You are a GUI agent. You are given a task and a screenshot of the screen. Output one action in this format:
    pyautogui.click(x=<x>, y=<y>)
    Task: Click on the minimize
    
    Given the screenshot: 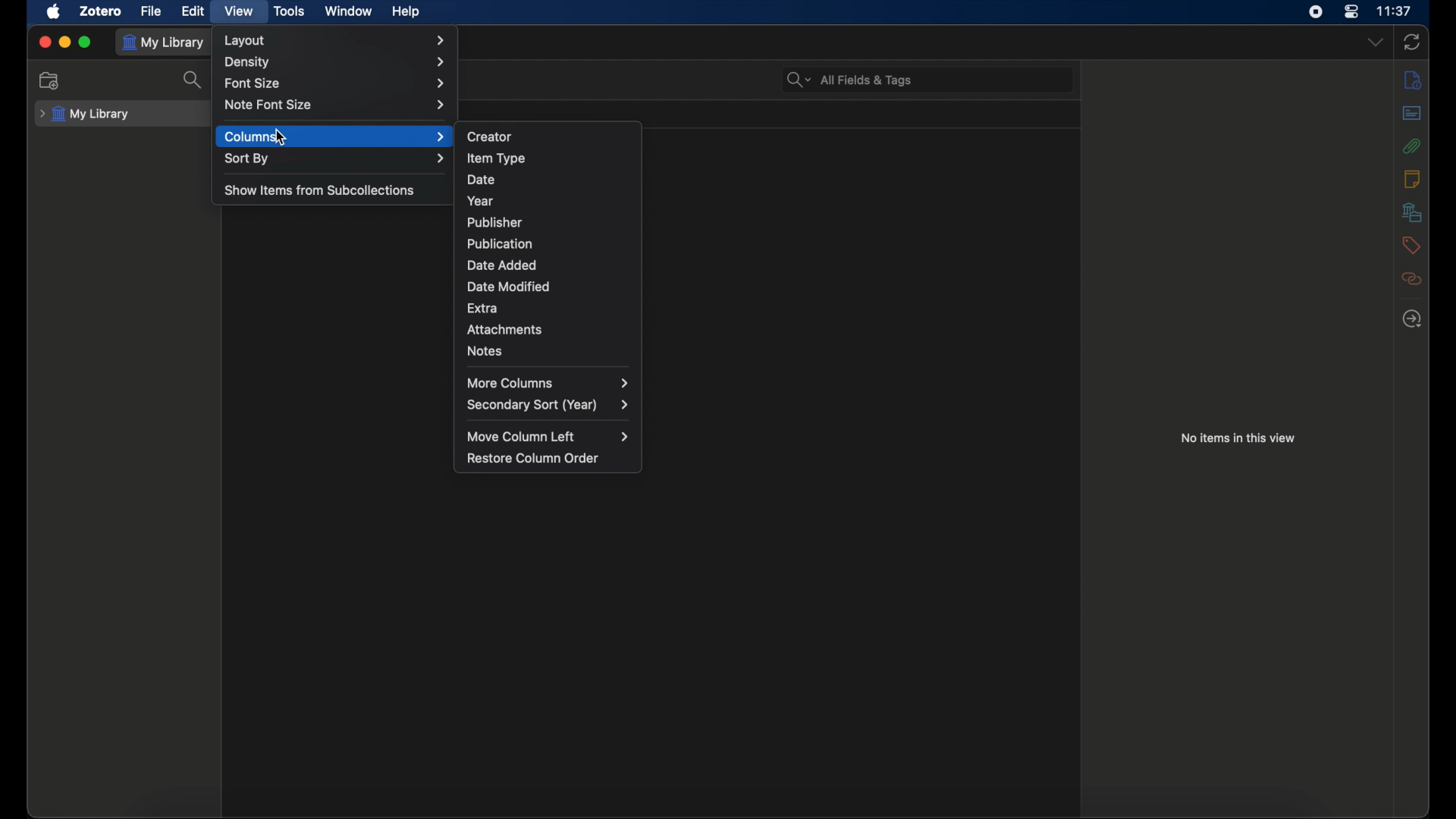 What is the action you would take?
    pyautogui.click(x=65, y=42)
    